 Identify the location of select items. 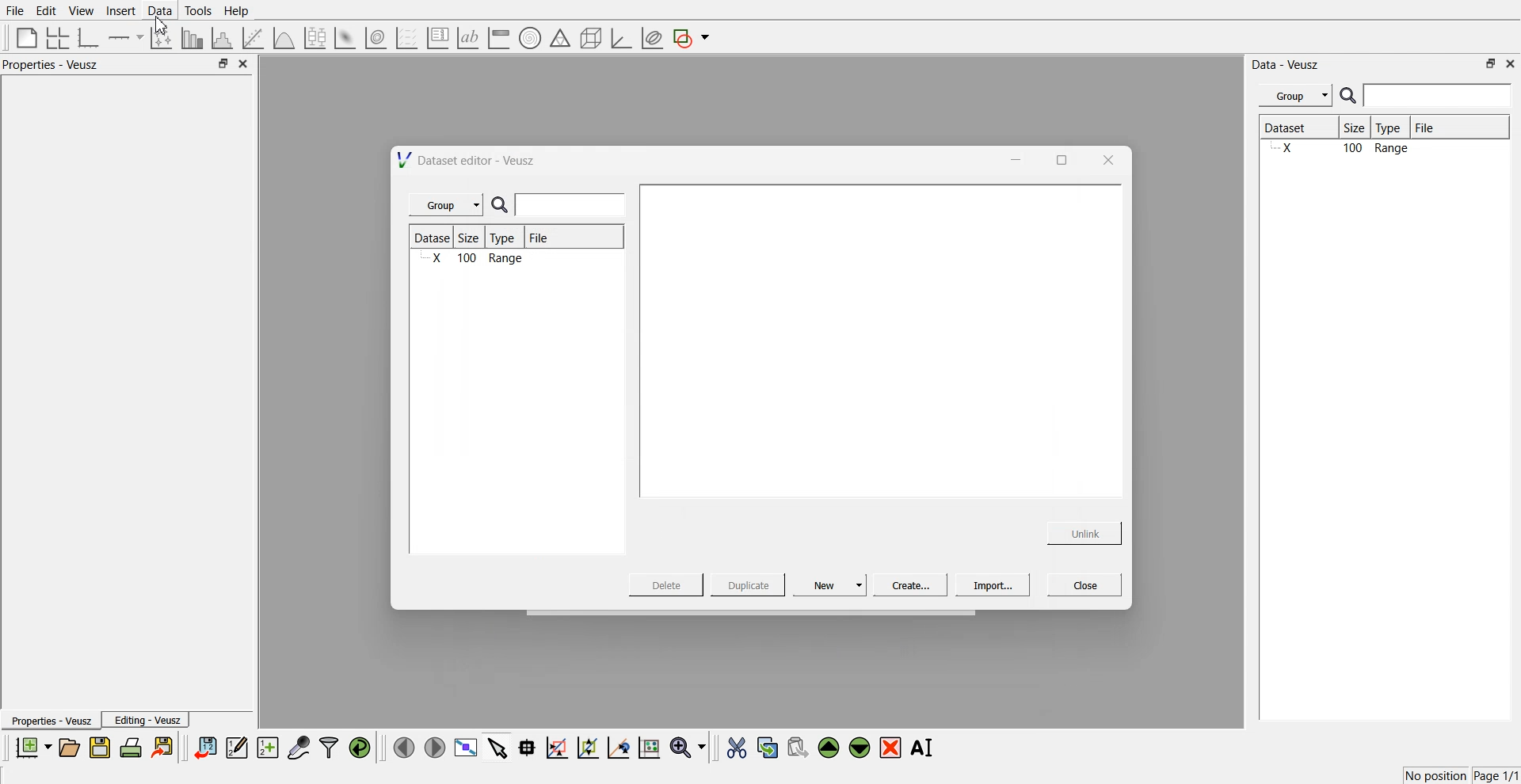
(497, 747).